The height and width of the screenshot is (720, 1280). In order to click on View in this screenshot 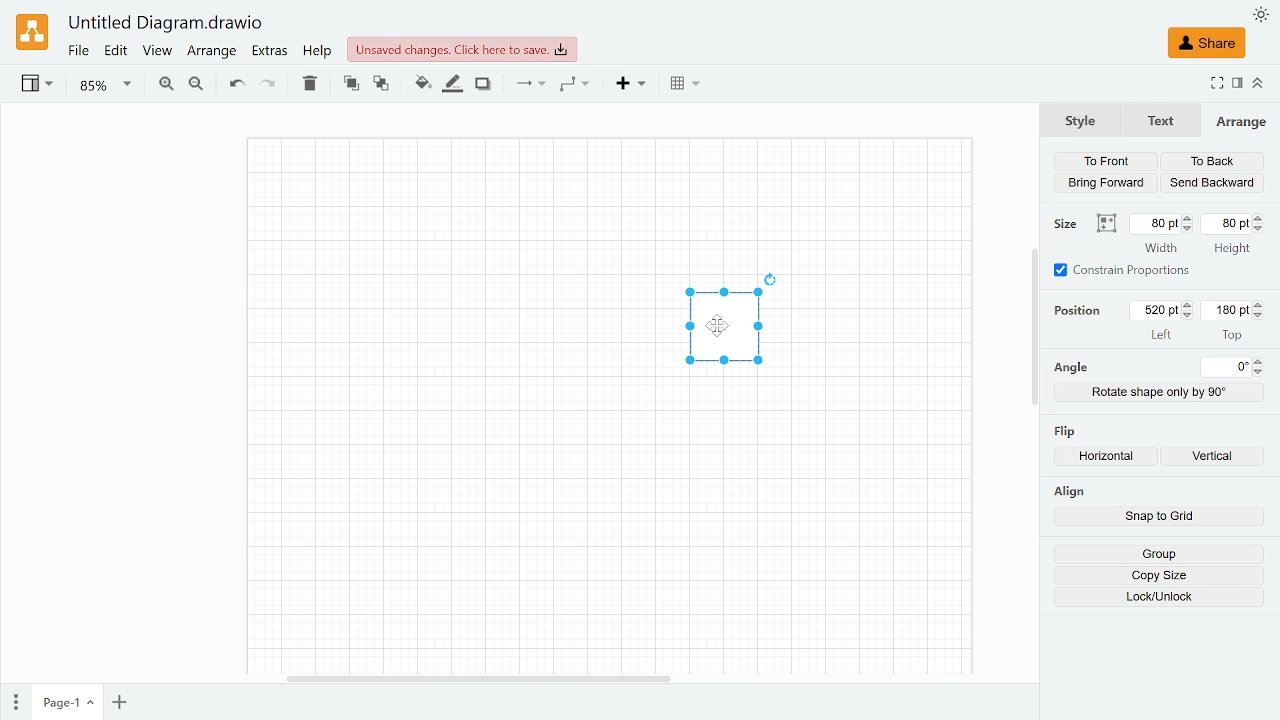, I will do `click(156, 52)`.